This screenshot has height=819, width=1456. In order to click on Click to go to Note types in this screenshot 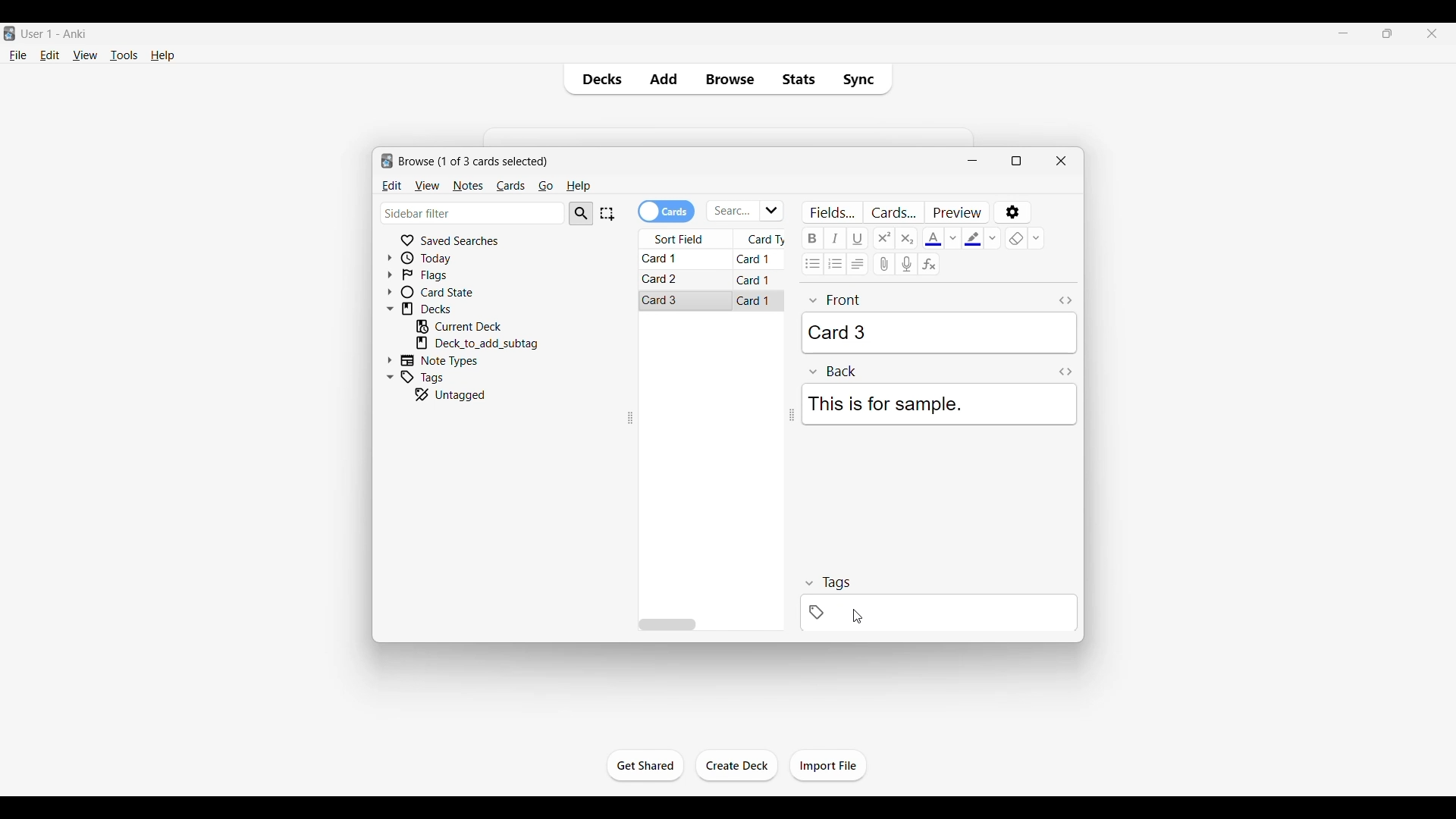, I will do `click(447, 360)`.